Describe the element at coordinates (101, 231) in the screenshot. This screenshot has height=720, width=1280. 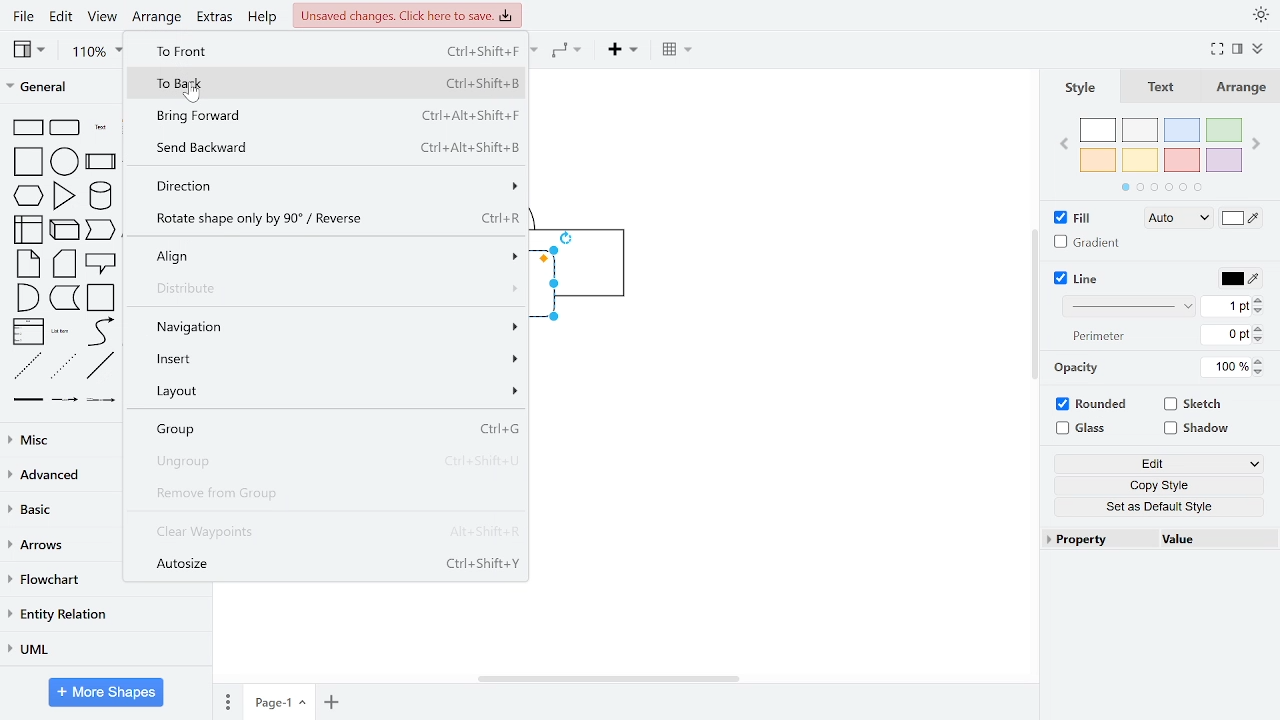
I see `step` at that location.